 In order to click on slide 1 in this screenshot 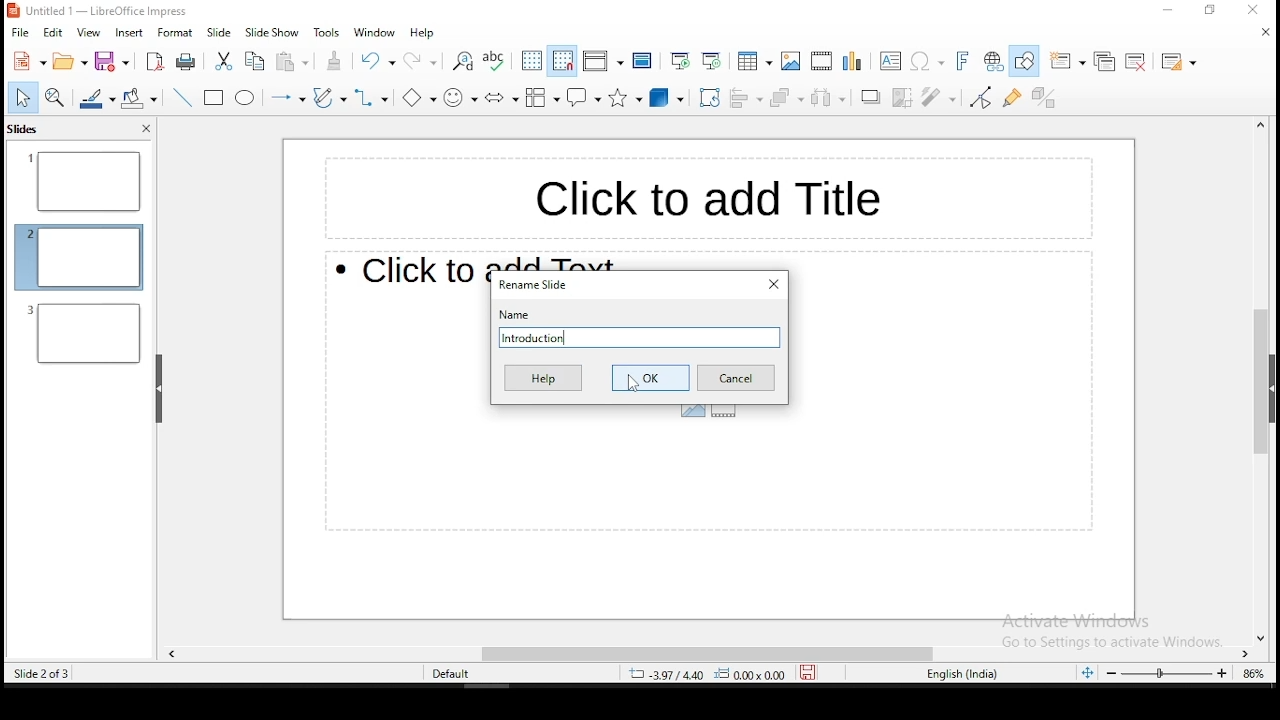, I will do `click(84, 182)`.